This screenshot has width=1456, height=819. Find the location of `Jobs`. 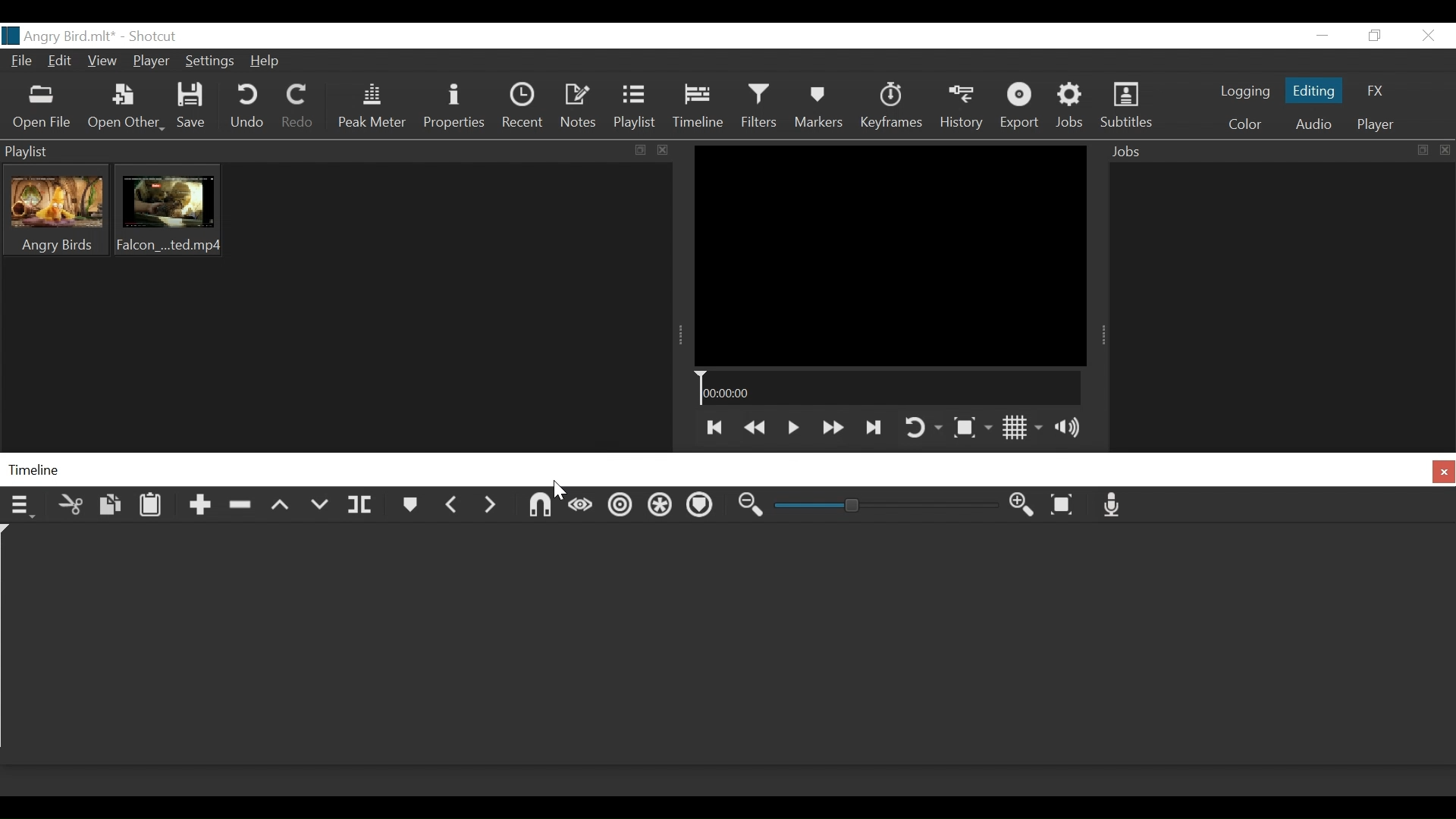

Jobs is located at coordinates (1075, 106).